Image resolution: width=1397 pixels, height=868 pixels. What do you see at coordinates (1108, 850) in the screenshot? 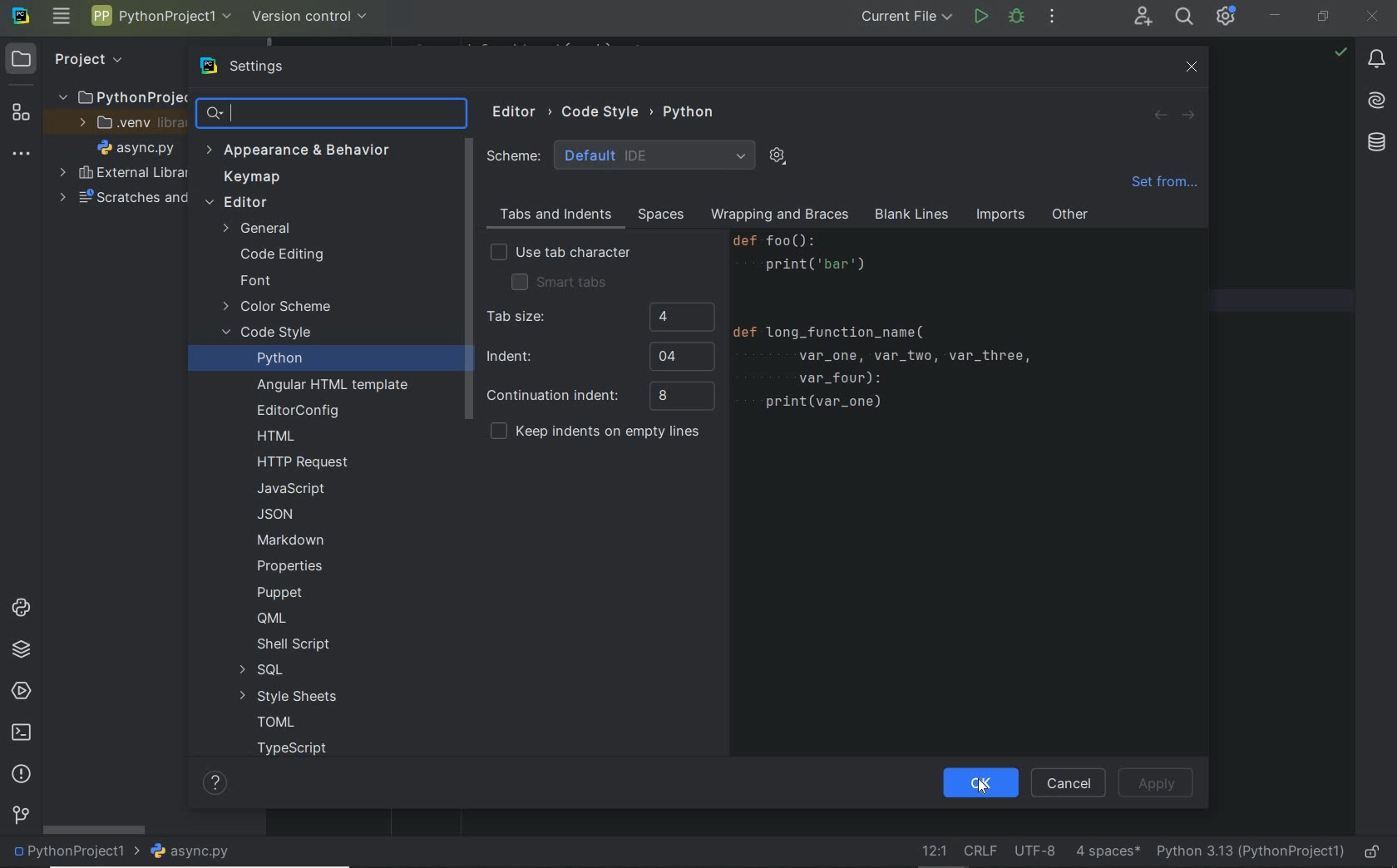
I see `indent` at bounding box center [1108, 850].